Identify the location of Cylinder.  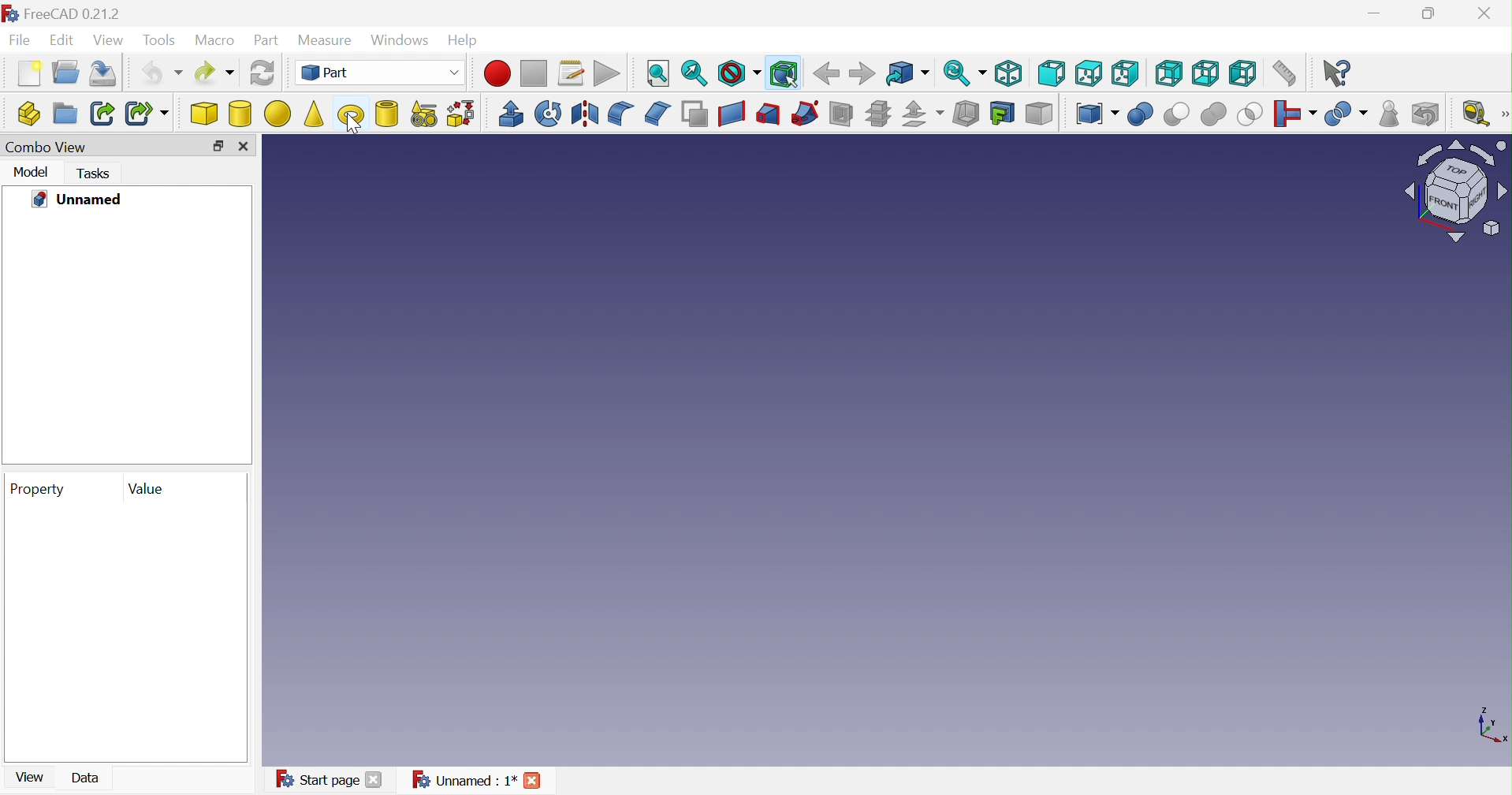
(241, 114).